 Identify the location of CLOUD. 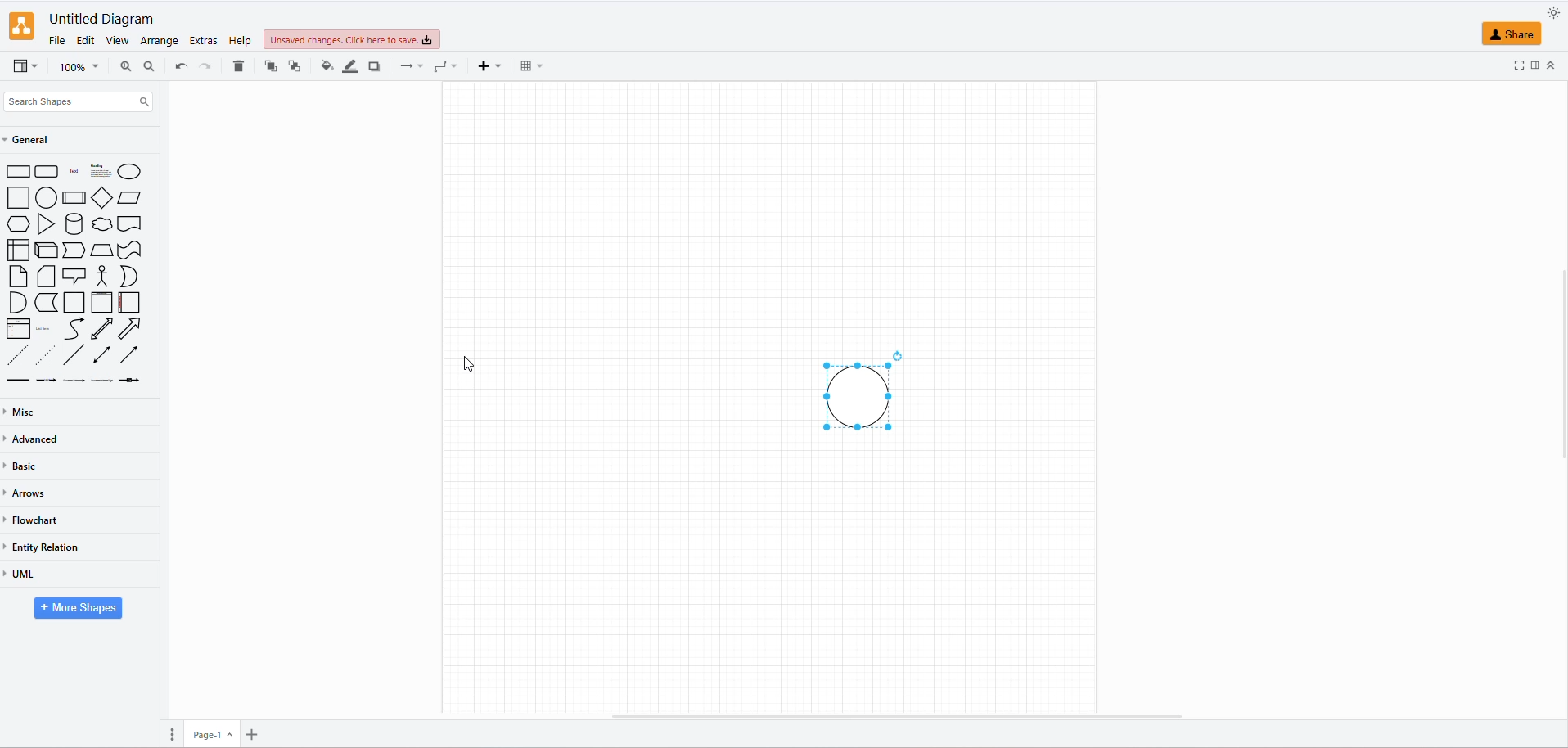
(104, 224).